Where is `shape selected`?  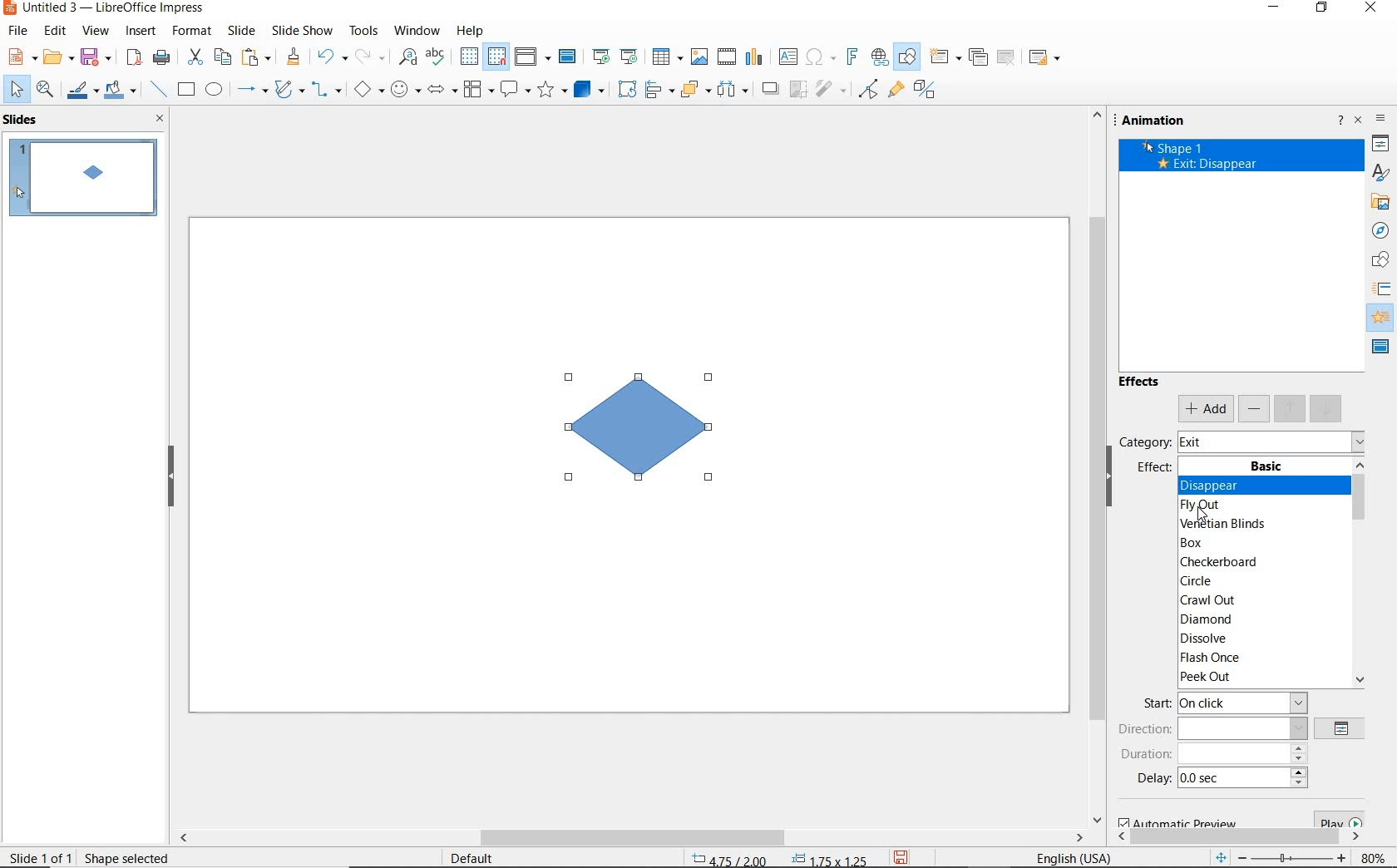 shape selected is located at coordinates (130, 860).